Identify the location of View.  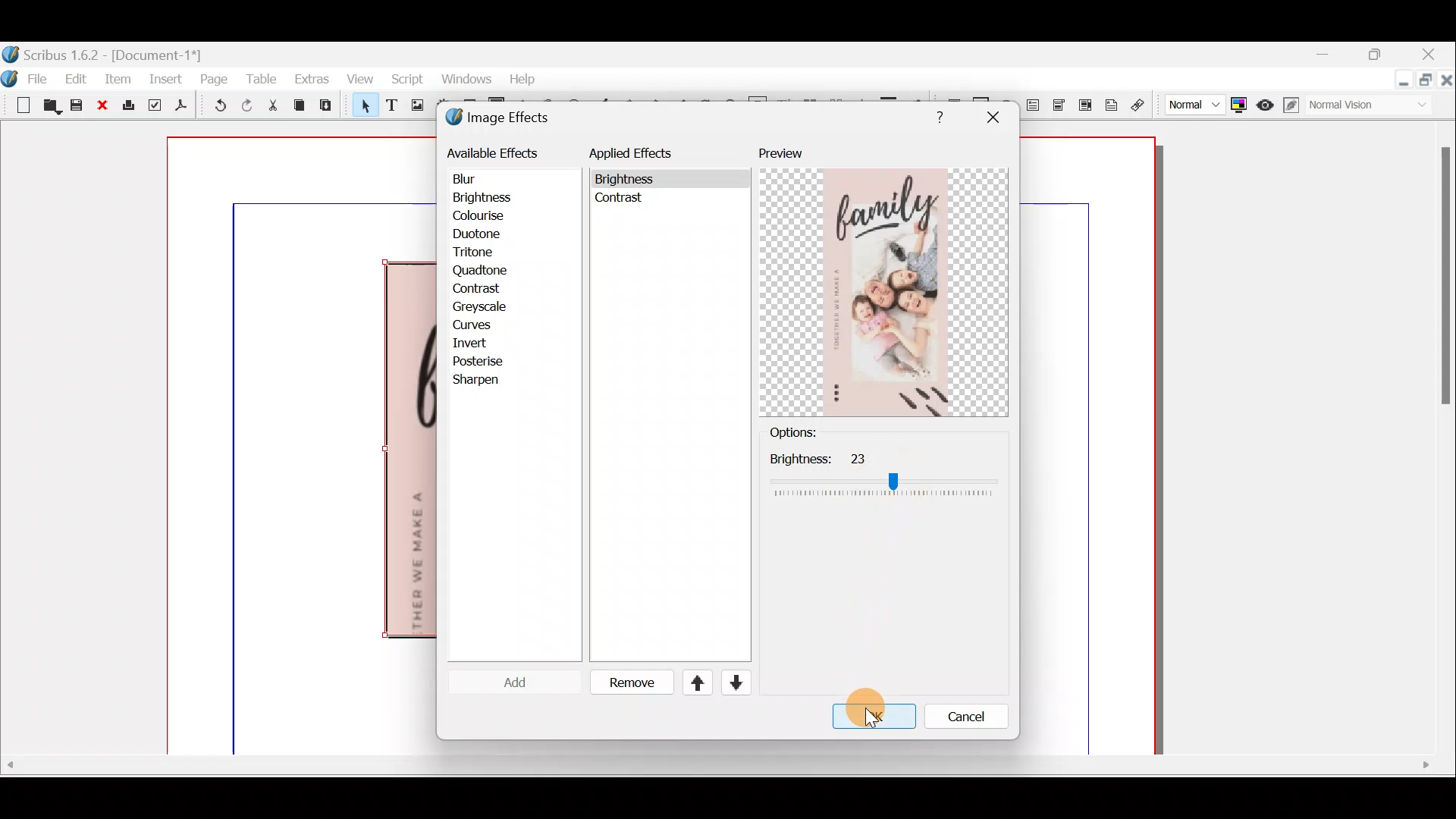
(356, 79).